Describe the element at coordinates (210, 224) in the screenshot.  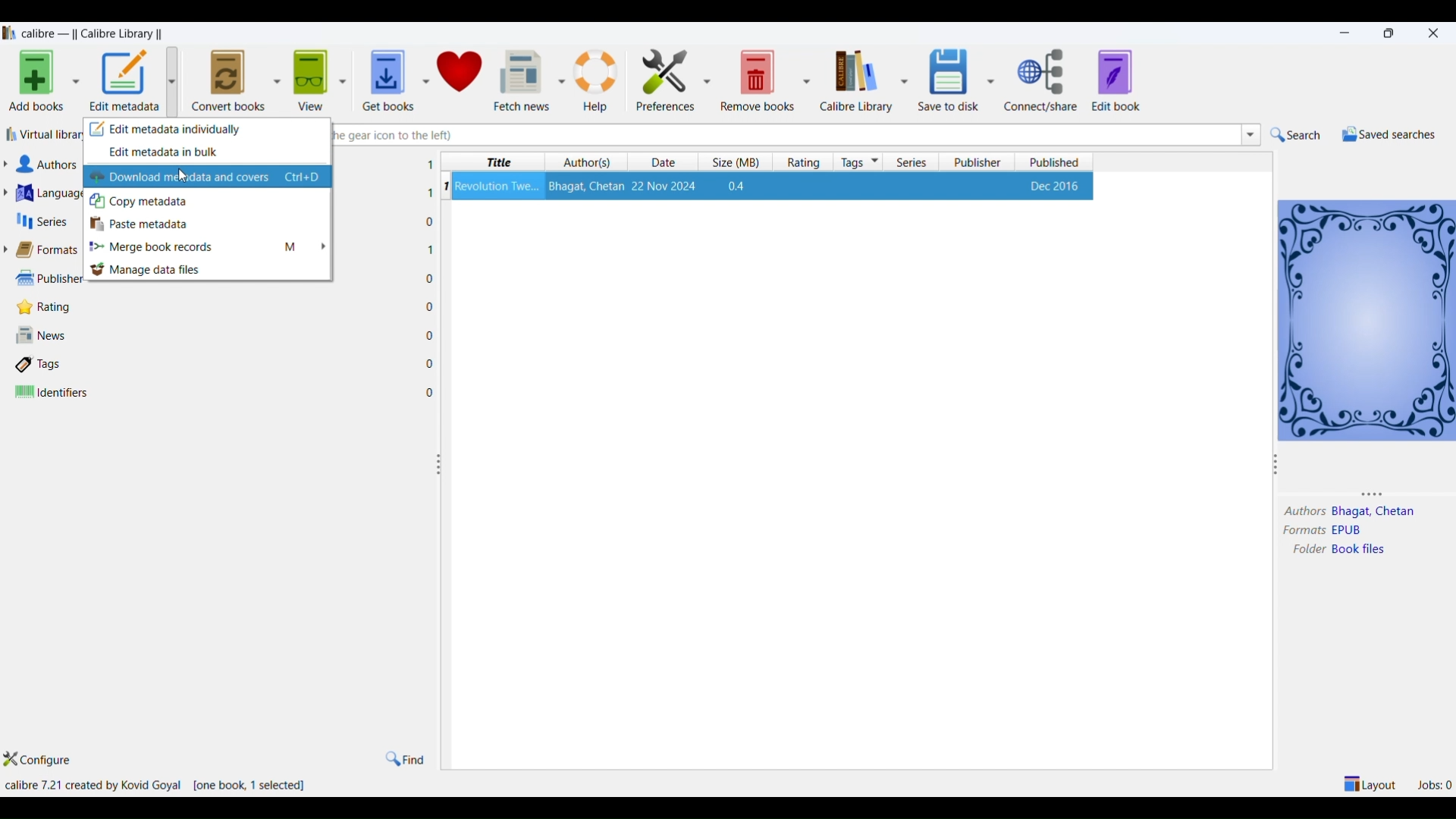
I see `paste metadata` at that location.